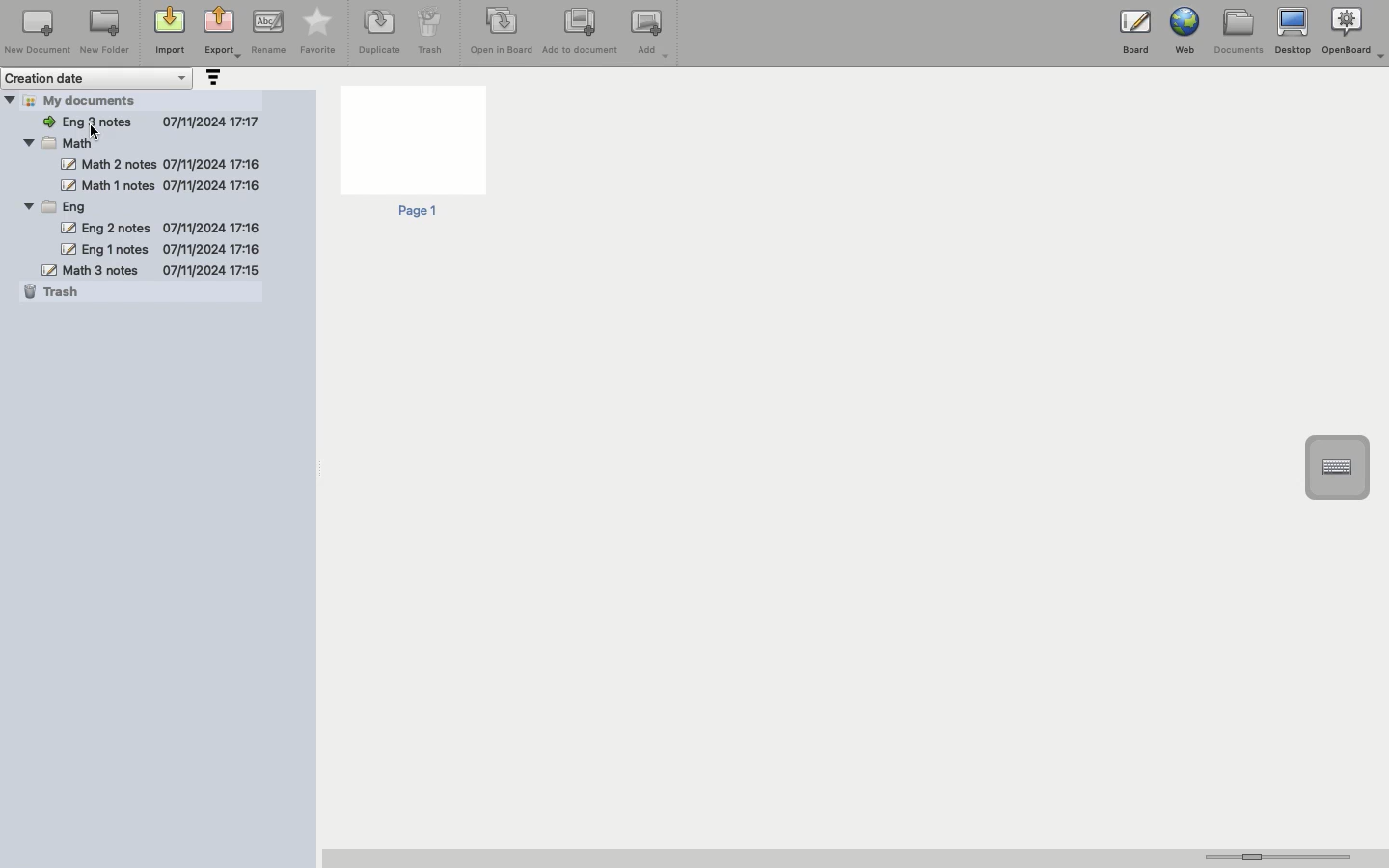 The height and width of the screenshot is (868, 1389). I want to click on Eng, so click(65, 206).